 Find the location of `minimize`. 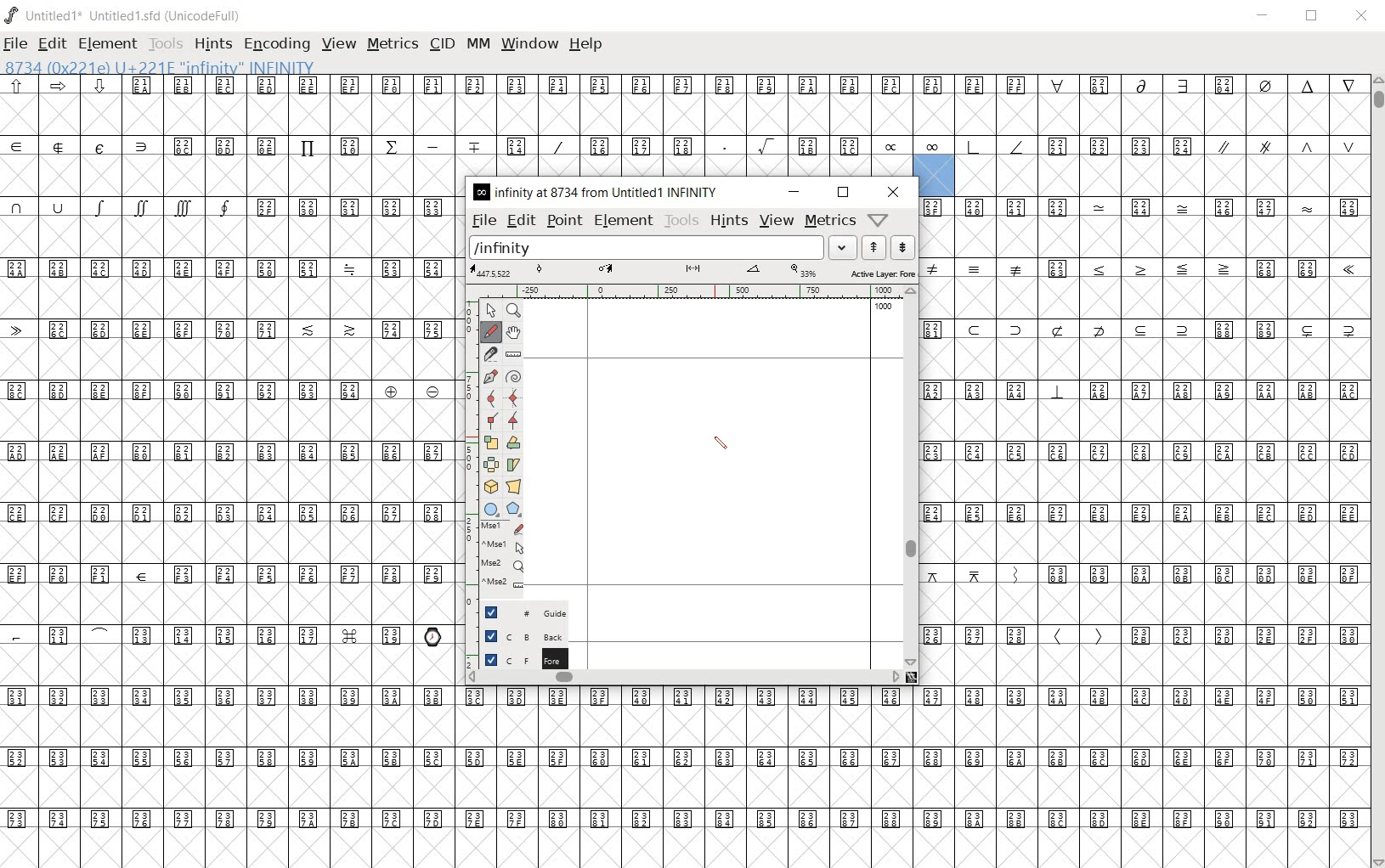

minimize is located at coordinates (794, 192).